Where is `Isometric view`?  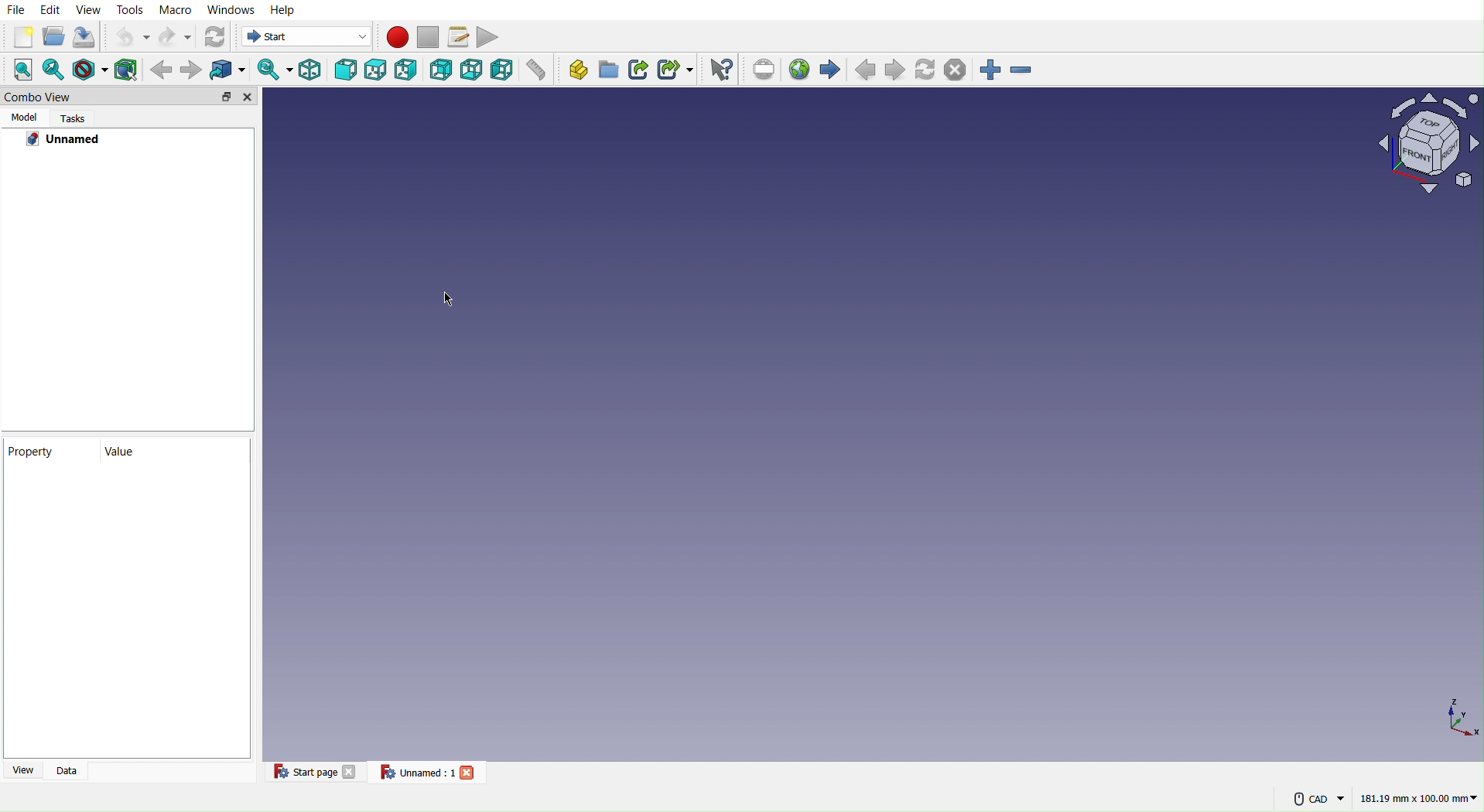 Isometric view is located at coordinates (311, 70).